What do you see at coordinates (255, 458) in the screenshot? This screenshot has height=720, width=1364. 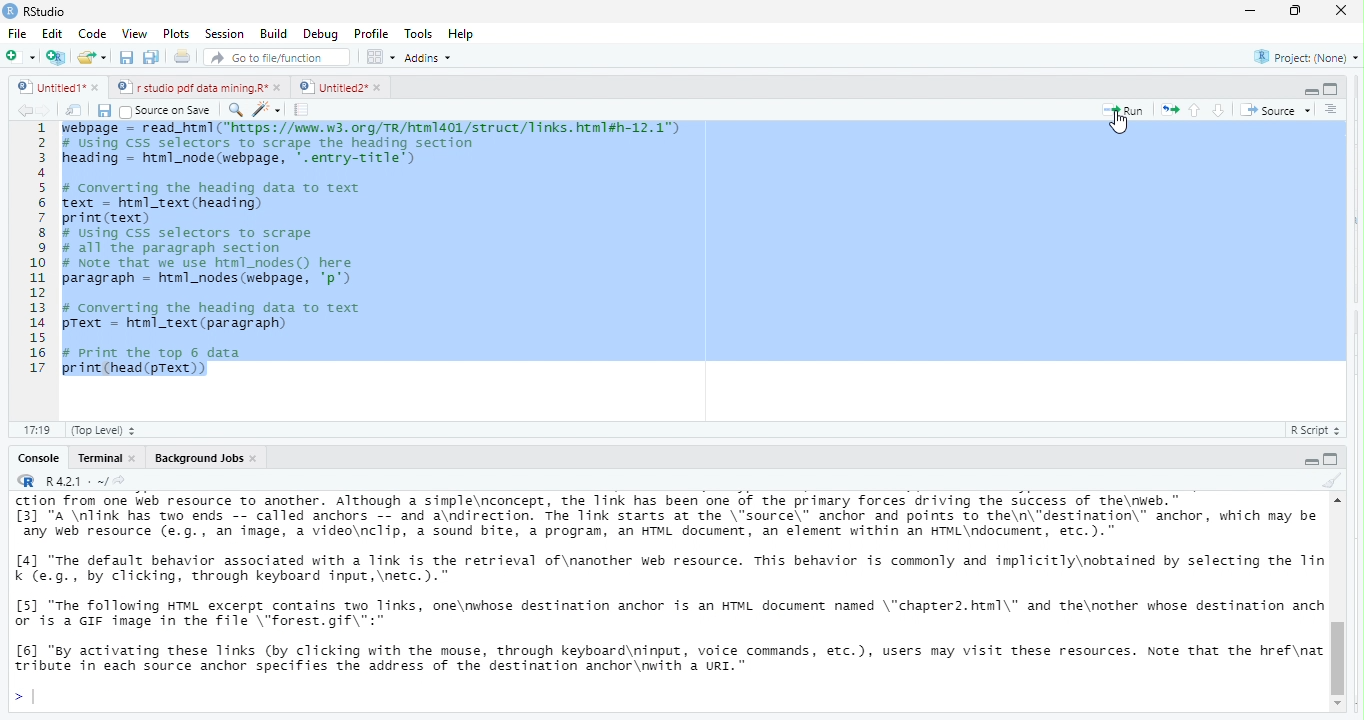 I see `close` at bounding box center [255, 458].